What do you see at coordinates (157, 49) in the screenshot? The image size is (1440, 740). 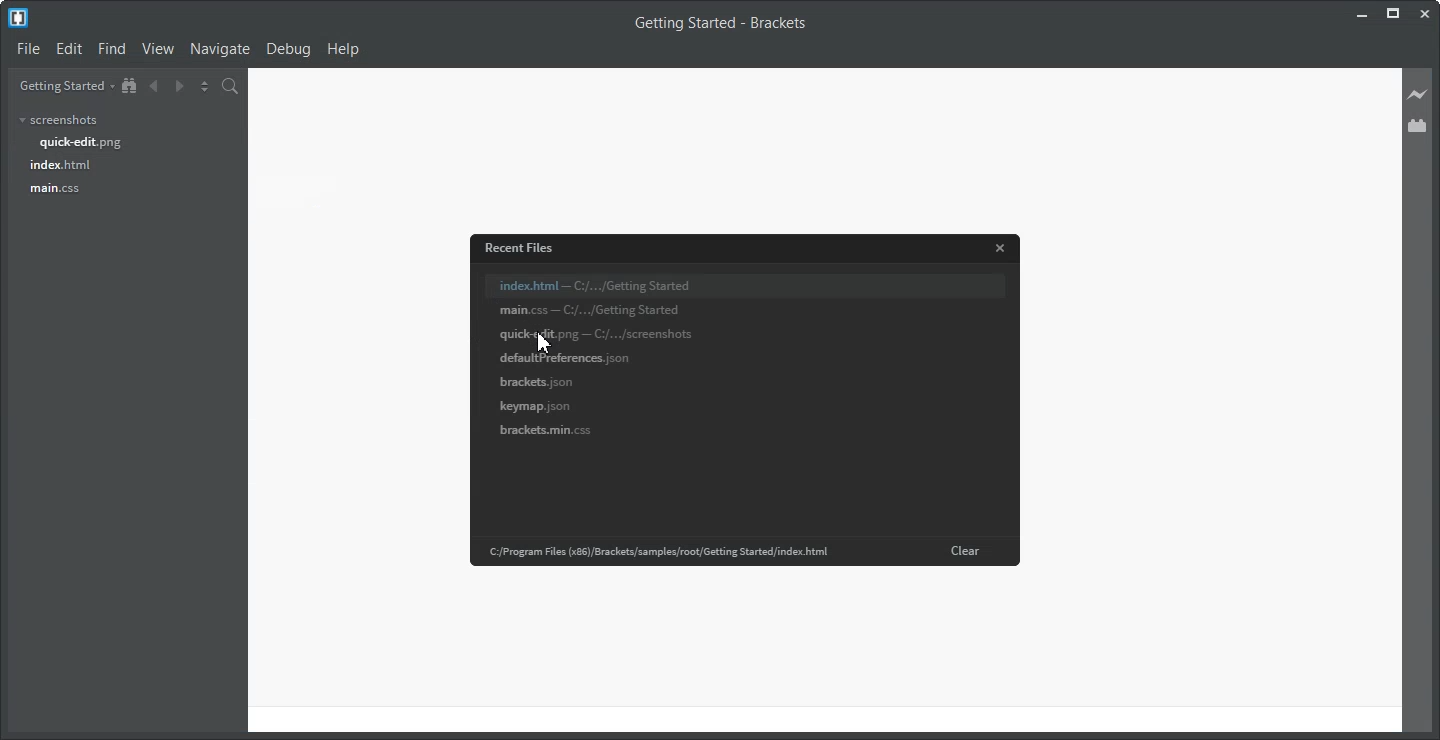 I see `View` at bounding box center [157, 49].